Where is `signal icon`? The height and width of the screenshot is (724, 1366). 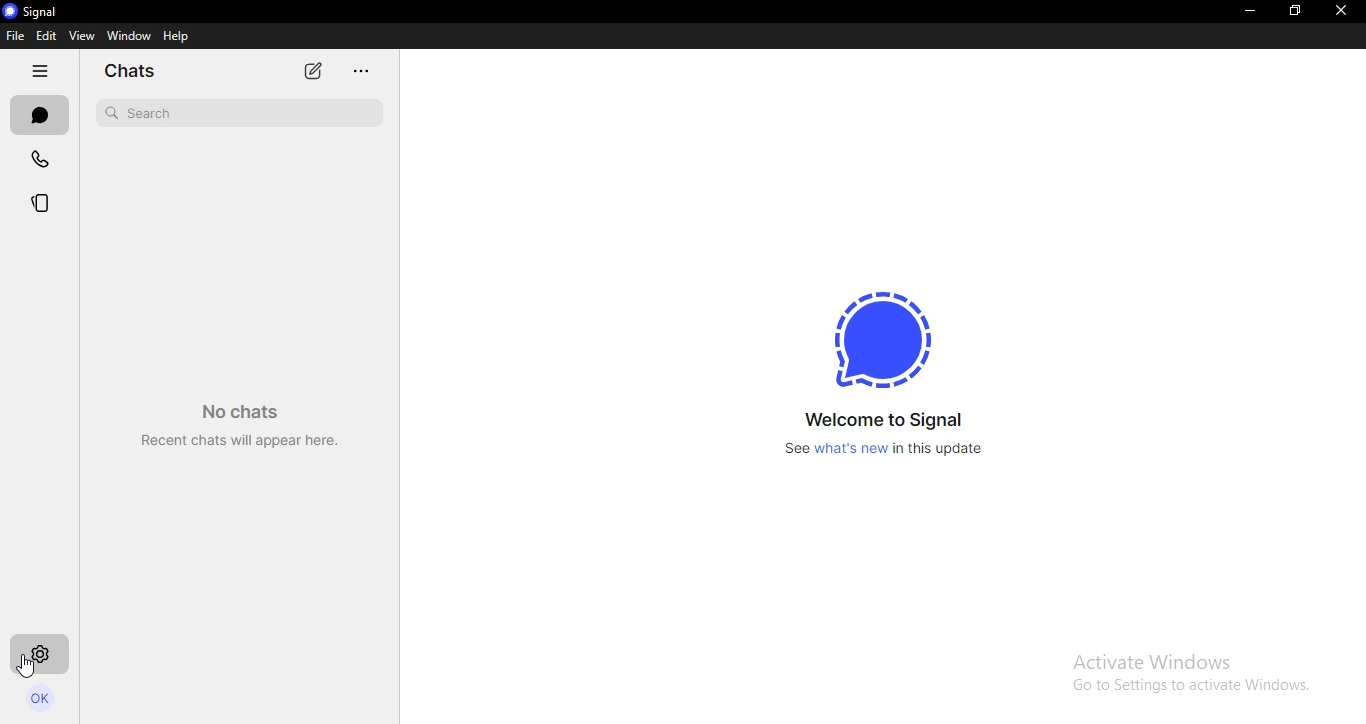
signal icon is located at coordinates (888, 338).